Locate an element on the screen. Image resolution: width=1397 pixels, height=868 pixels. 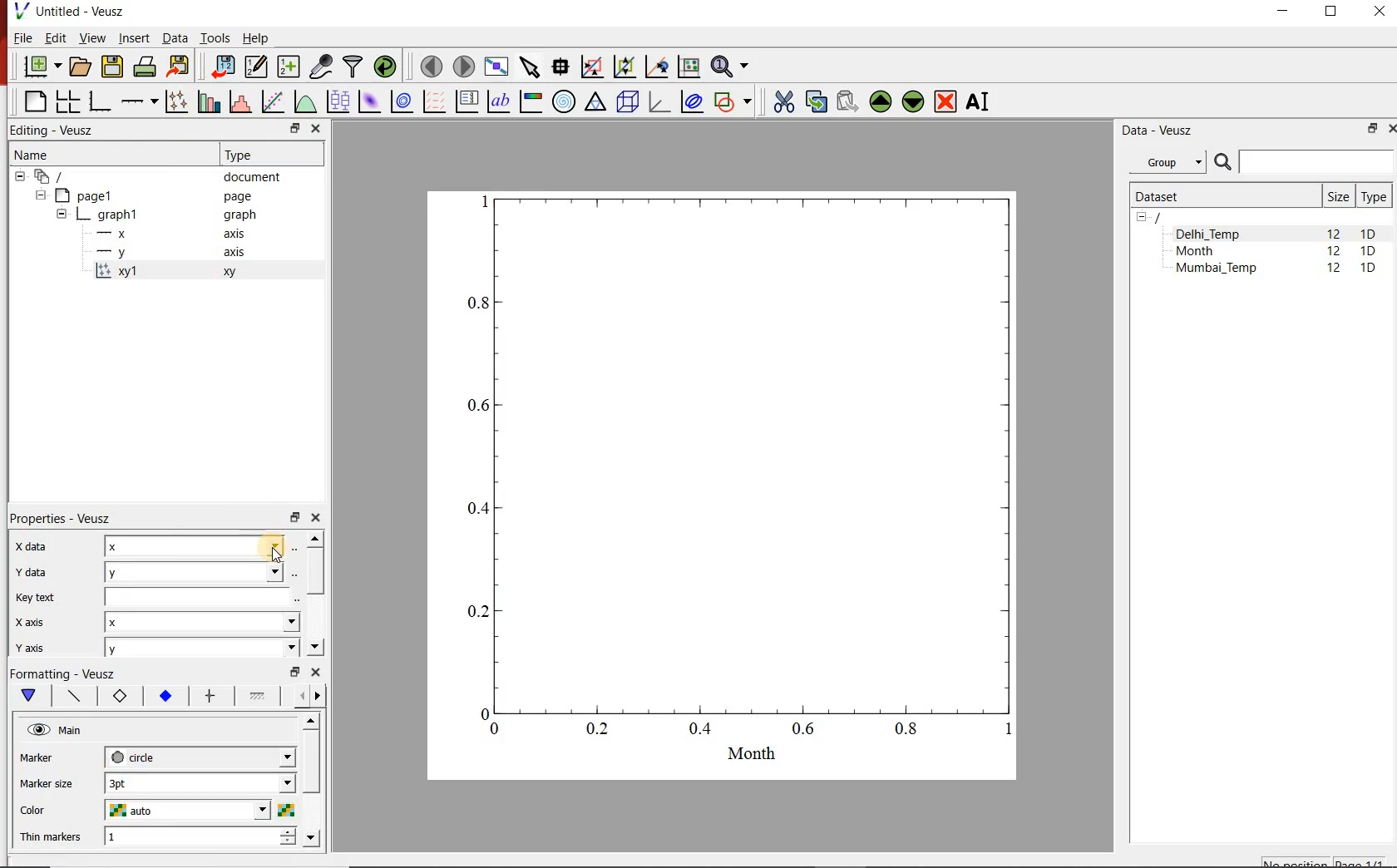
Tools is located at coordinates (216, 38).